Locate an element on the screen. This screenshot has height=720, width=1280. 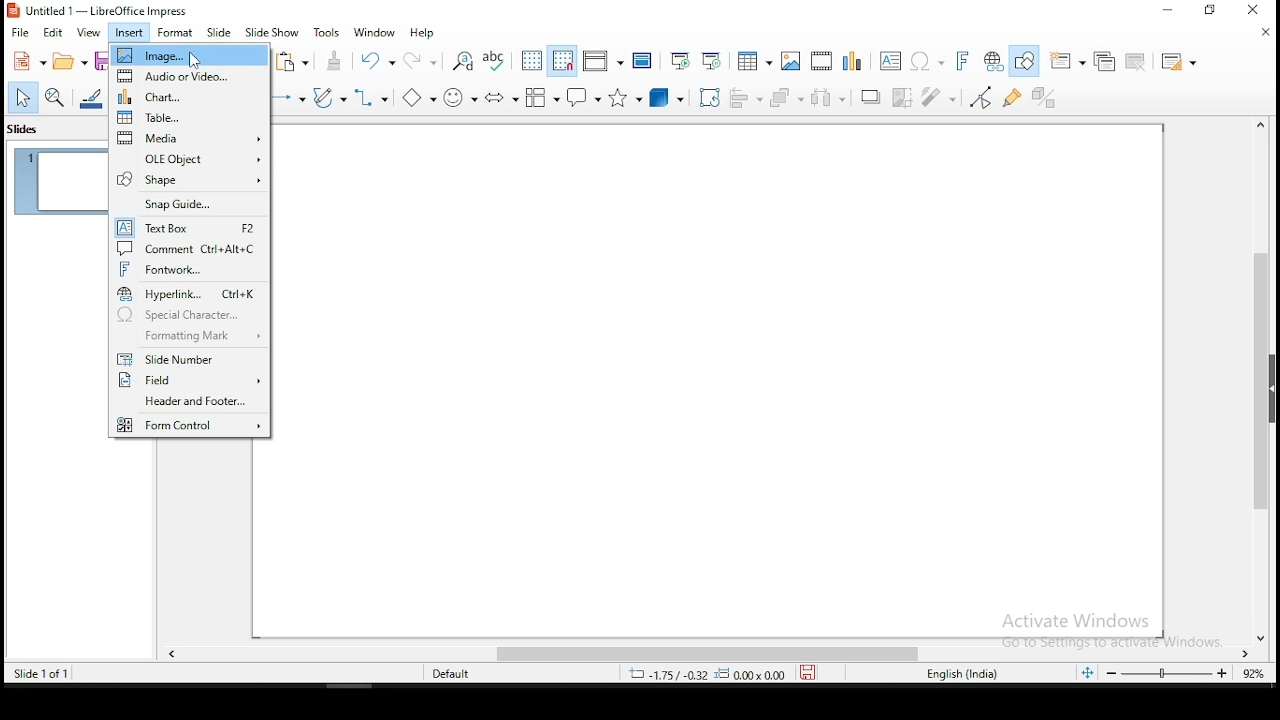
activate windows is located at coordinates (1107, 630).